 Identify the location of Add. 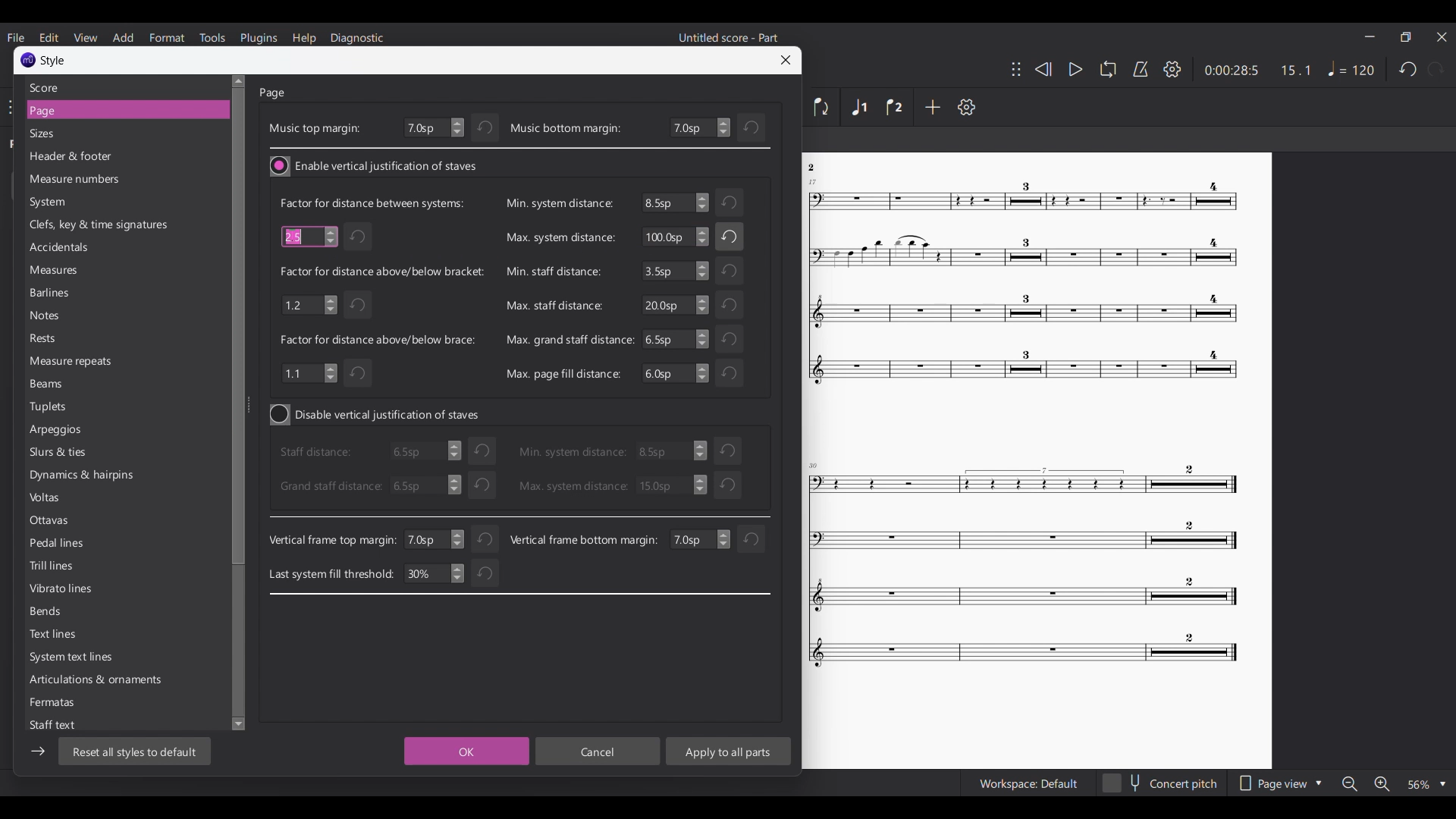
(932, 106).